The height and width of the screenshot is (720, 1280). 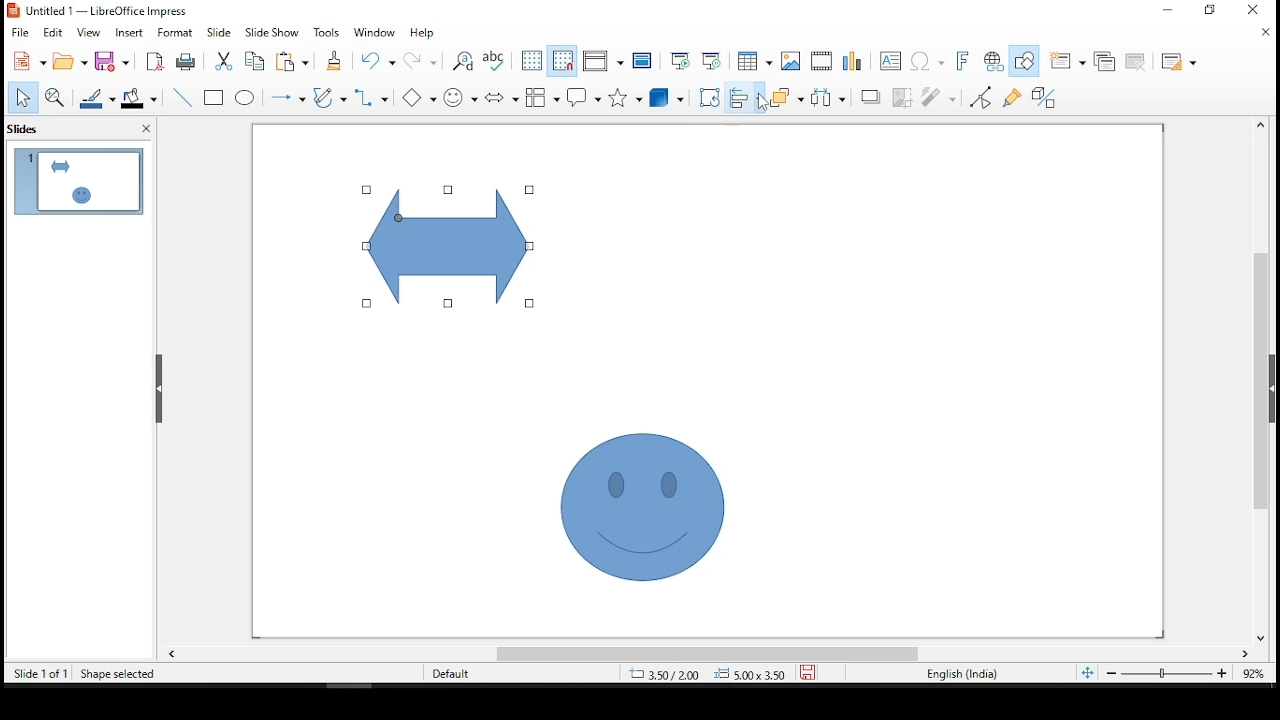 What do you see at coordinates (961, 672) in the screenshot?
I see `english (india)` at bounding box center [961, 672].